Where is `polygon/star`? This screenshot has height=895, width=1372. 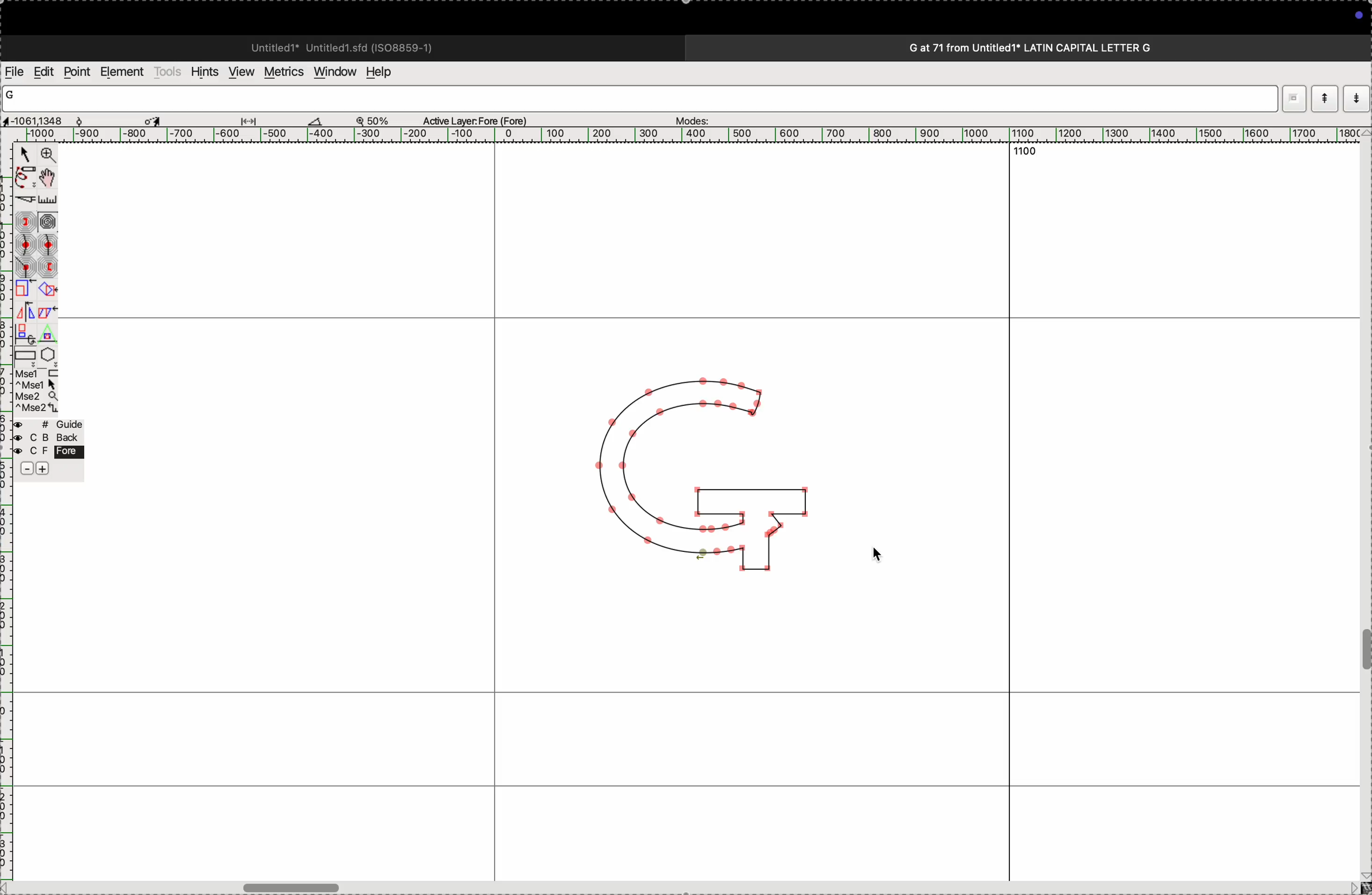
polygon/star is located at coordinates (49, 354).